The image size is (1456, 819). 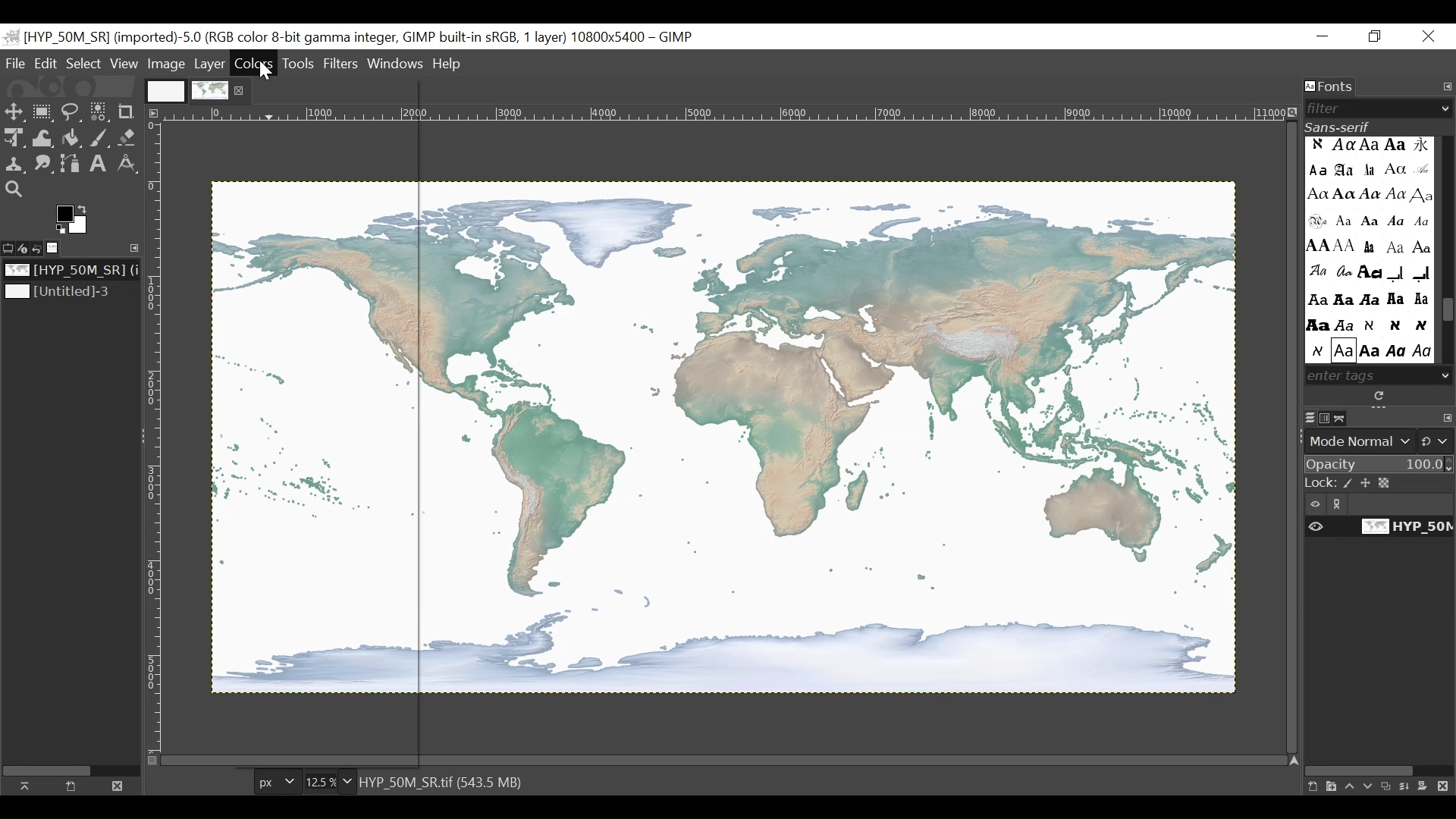 I want to click on Warp Transform, so click(x=44, y=139).